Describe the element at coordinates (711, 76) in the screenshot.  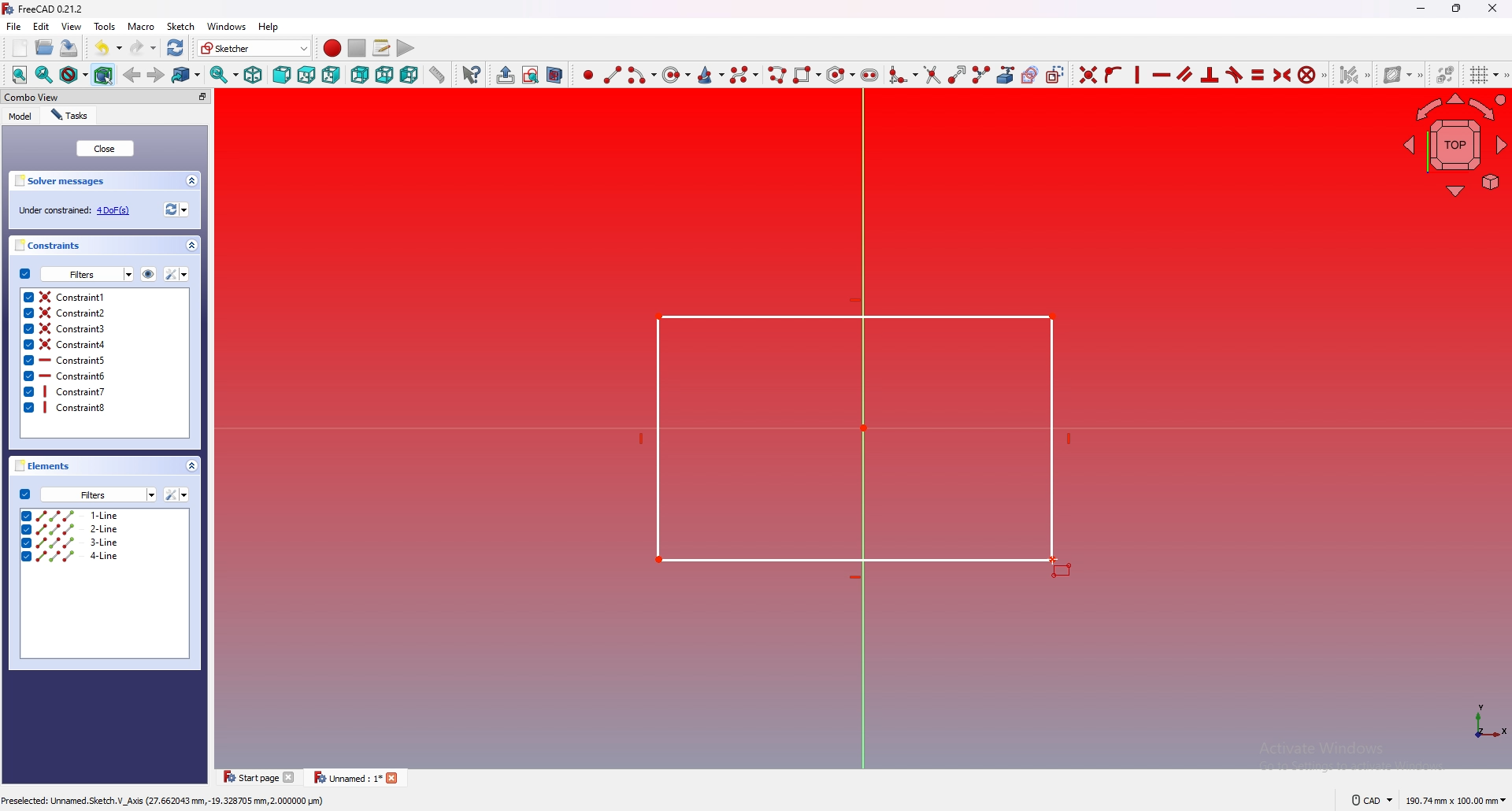
I see `create conic` at that location.